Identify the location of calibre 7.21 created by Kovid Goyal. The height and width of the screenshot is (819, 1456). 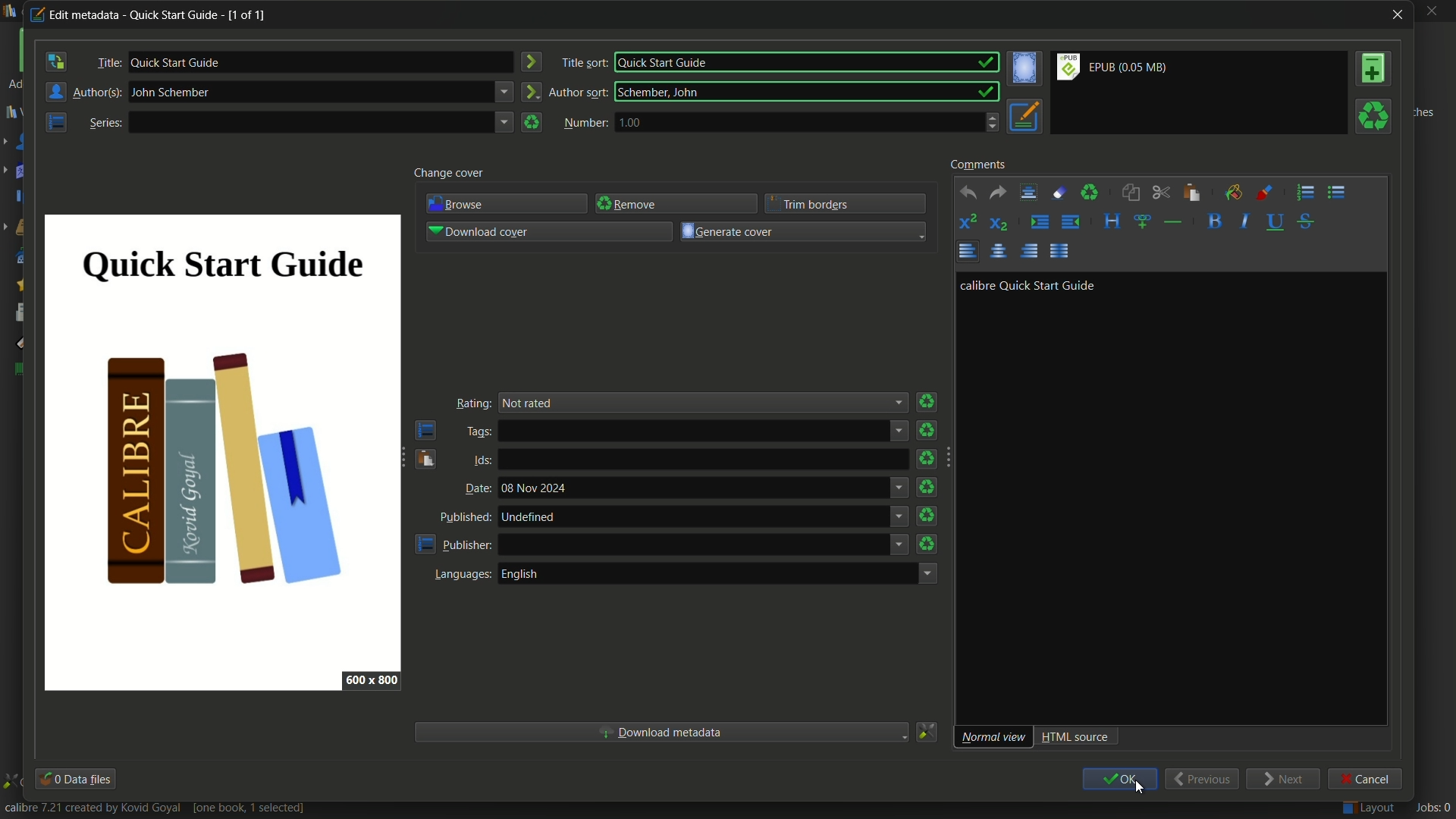
(93, 808).